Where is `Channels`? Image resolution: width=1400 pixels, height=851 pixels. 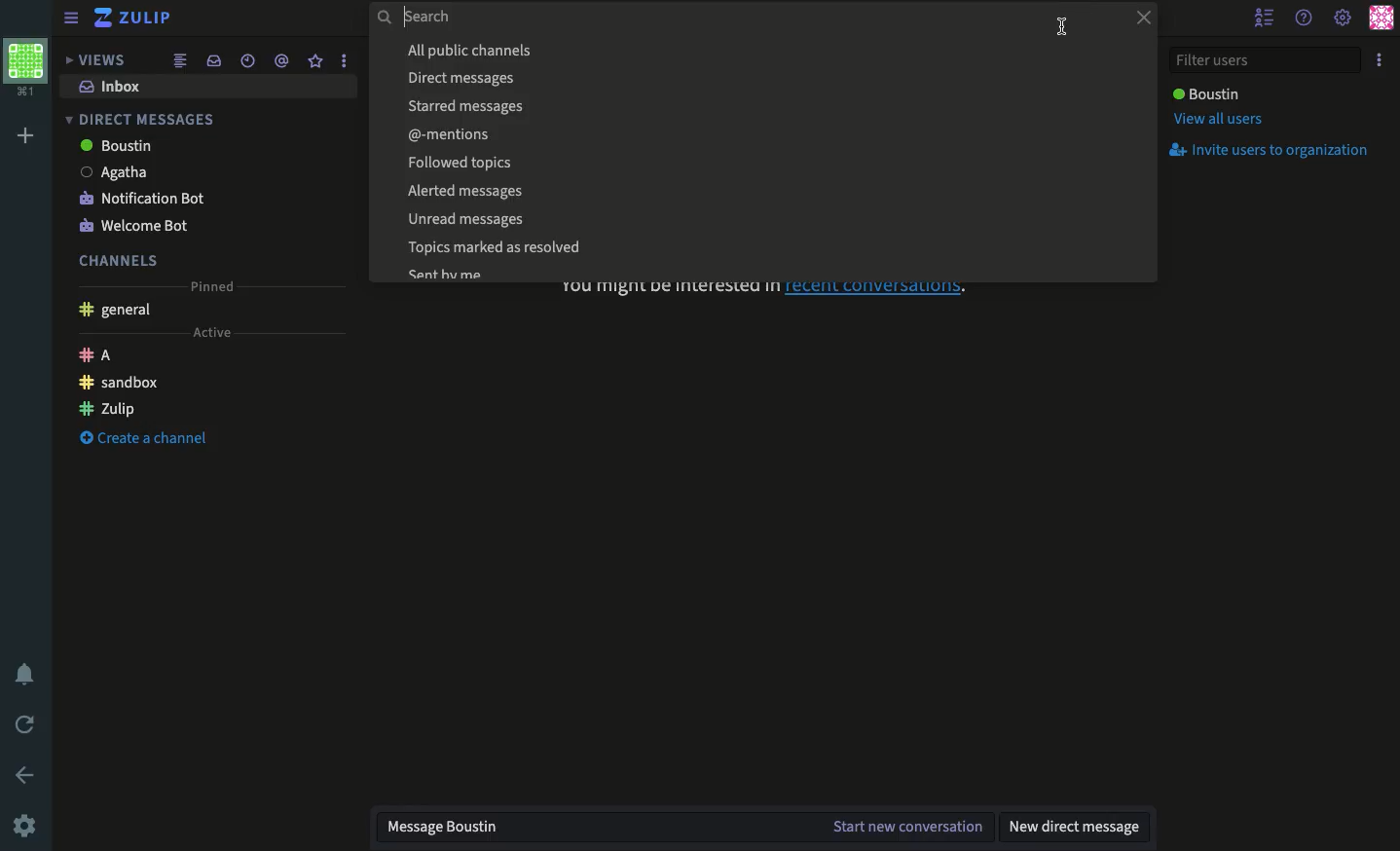 Channels is located at coordinates (119, 261).